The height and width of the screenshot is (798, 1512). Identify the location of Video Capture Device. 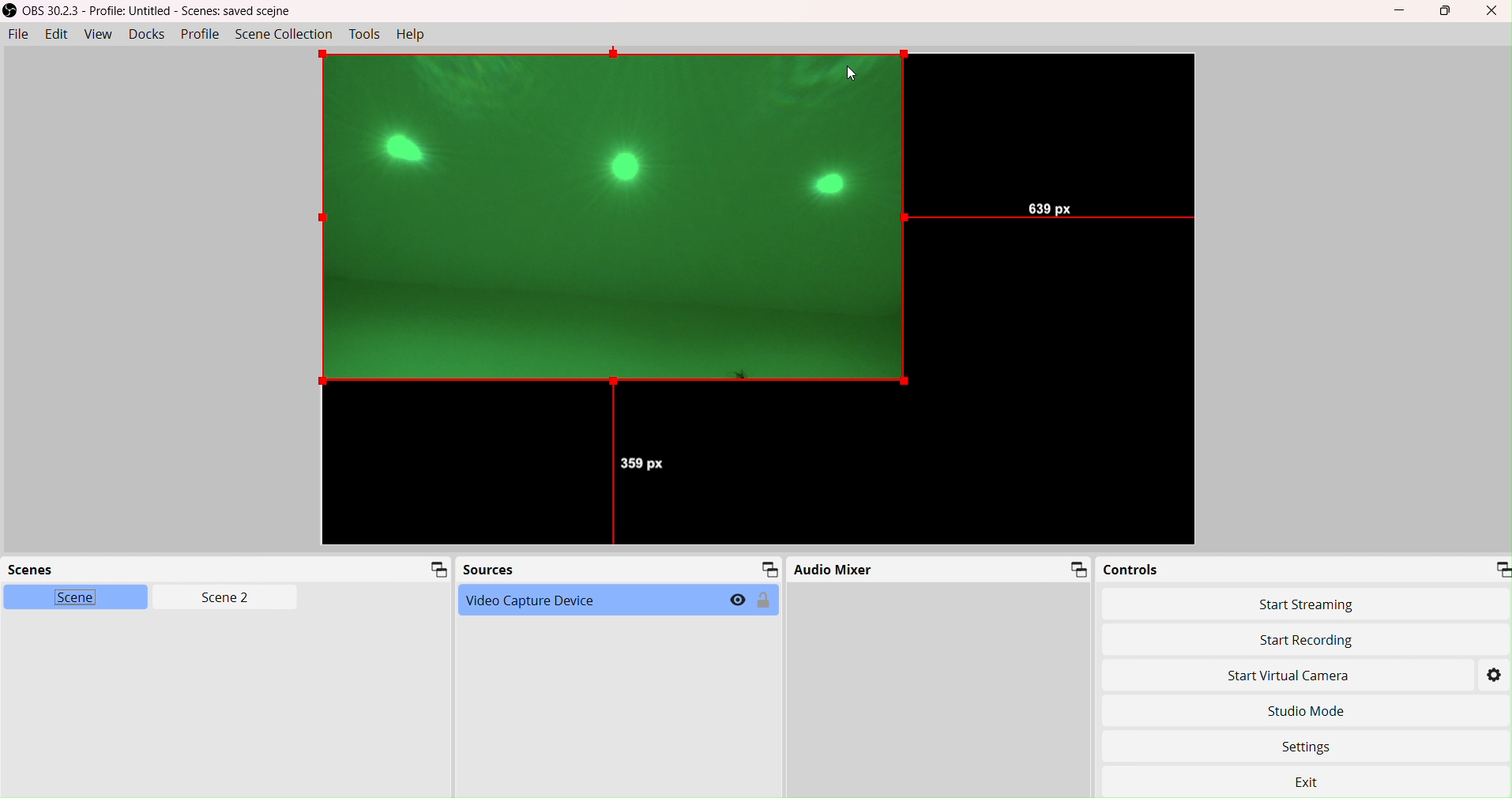
(618, 600).